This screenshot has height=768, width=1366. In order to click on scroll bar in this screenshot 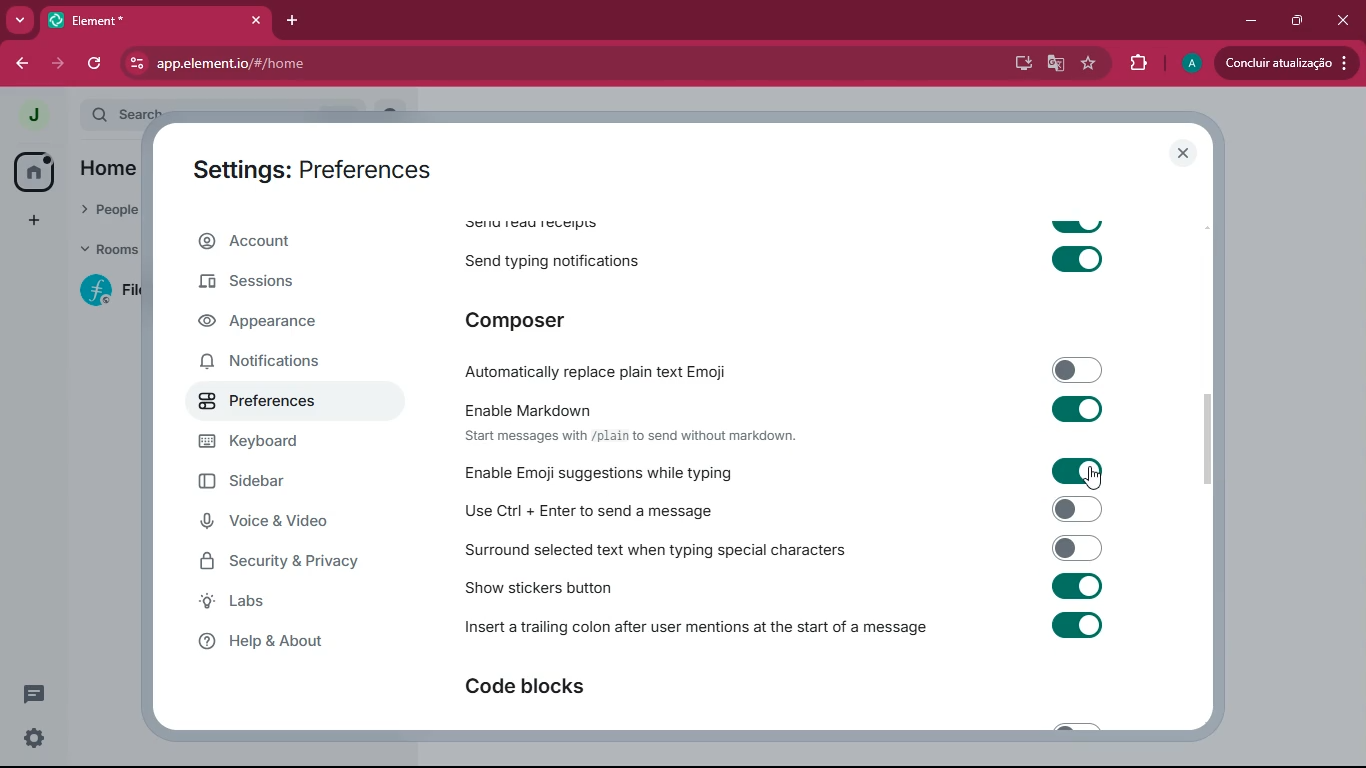, I will do `click(1218, 442)`.